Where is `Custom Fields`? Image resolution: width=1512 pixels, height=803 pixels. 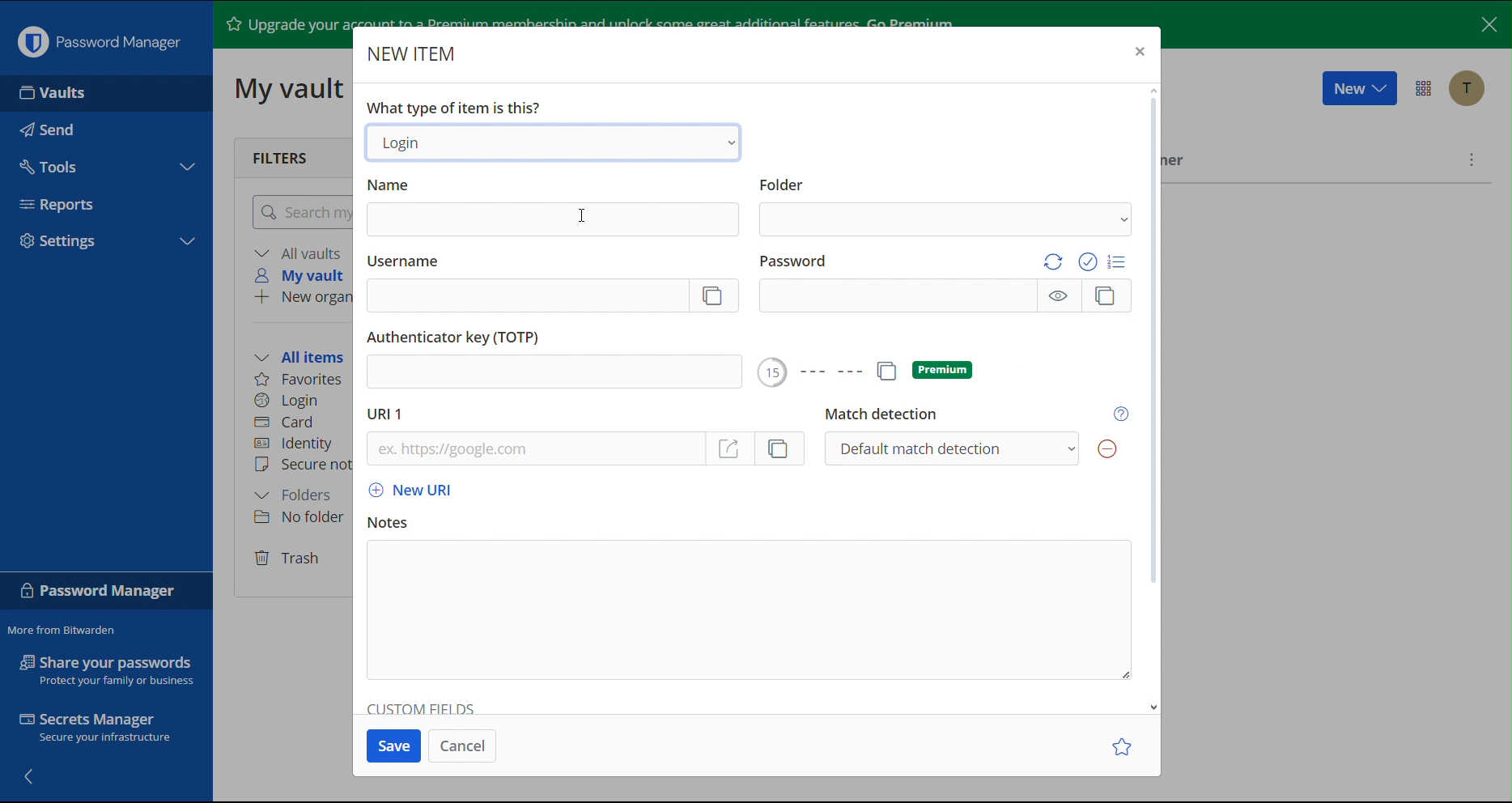
Custom Fields is located at coordinates (423, 707).